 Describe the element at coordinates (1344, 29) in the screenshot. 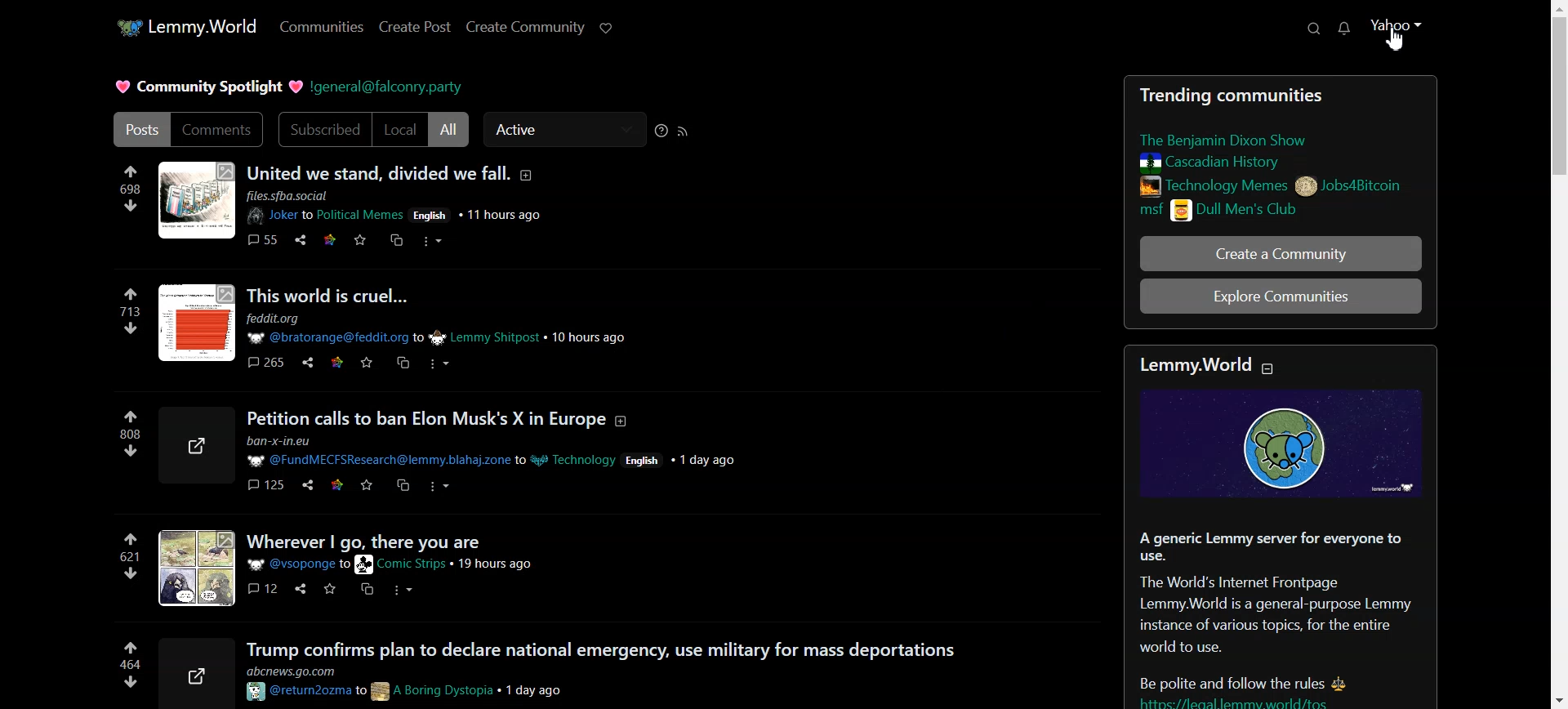

I see `Unread message` at that location.